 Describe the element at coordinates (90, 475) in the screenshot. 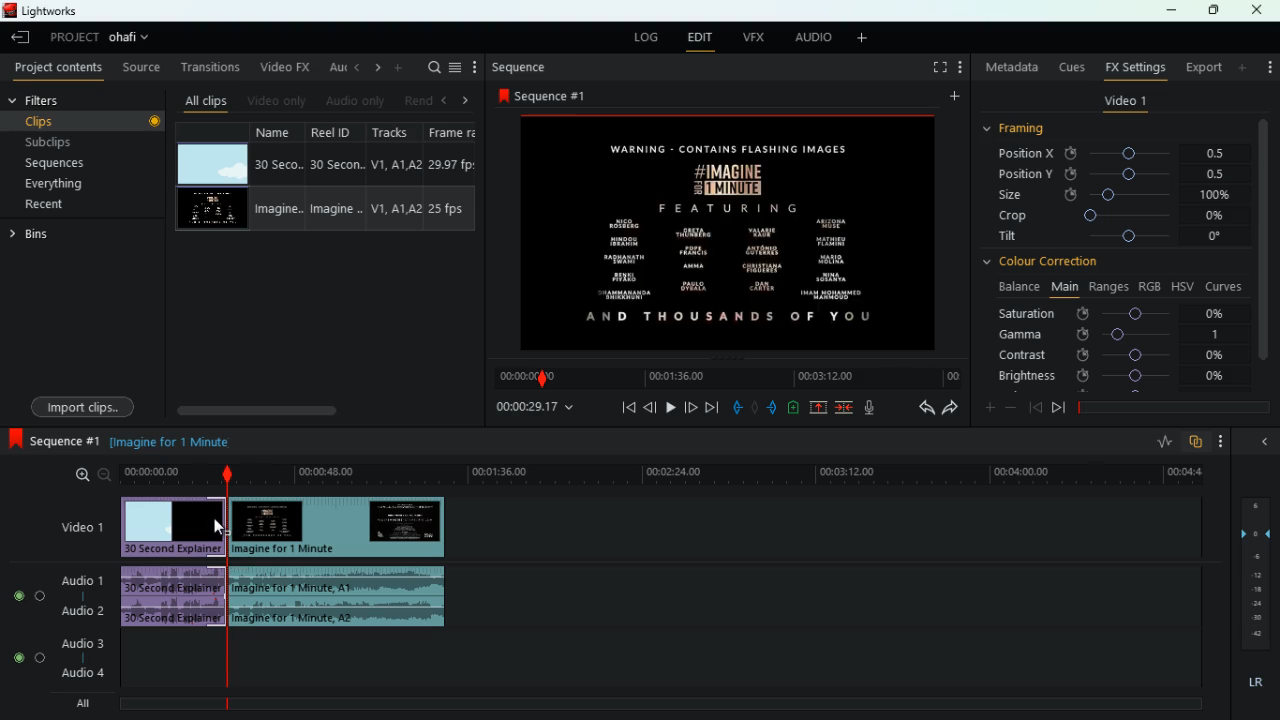

I see `zoom` at that location.